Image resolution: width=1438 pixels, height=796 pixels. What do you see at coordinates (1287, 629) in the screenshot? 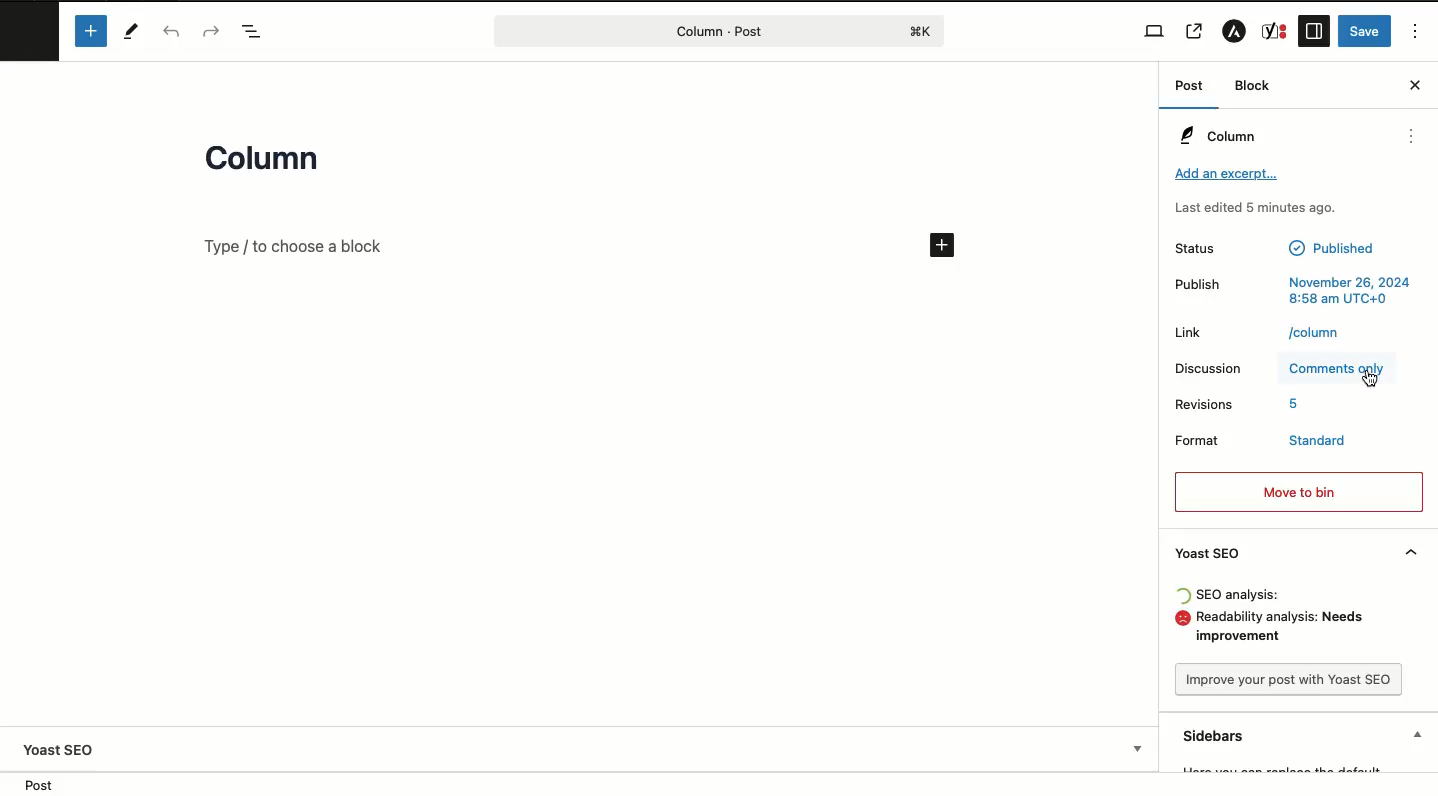
I see `Analysis` at bounding box center [1287, 629].